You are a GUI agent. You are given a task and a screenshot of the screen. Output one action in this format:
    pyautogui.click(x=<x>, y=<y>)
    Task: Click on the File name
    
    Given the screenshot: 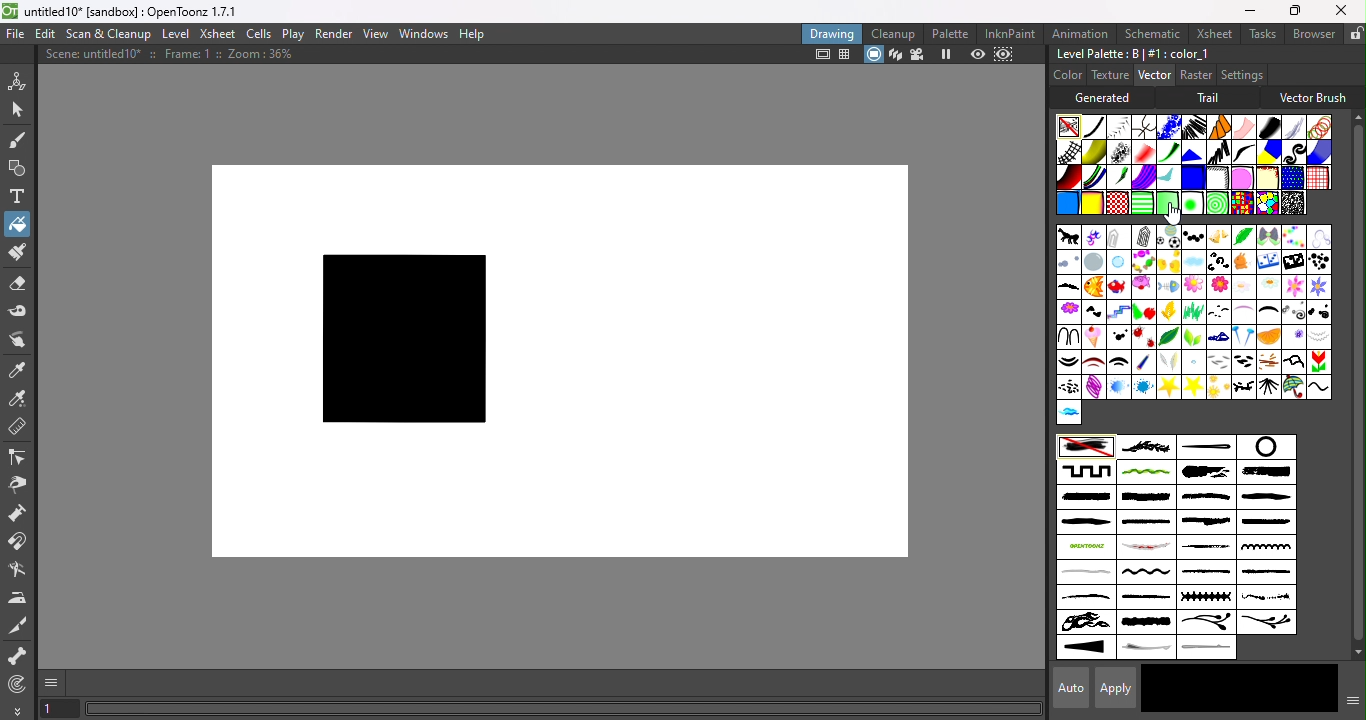 What is the action you would take?
    pyautogui.click(x=139, y=12)
    